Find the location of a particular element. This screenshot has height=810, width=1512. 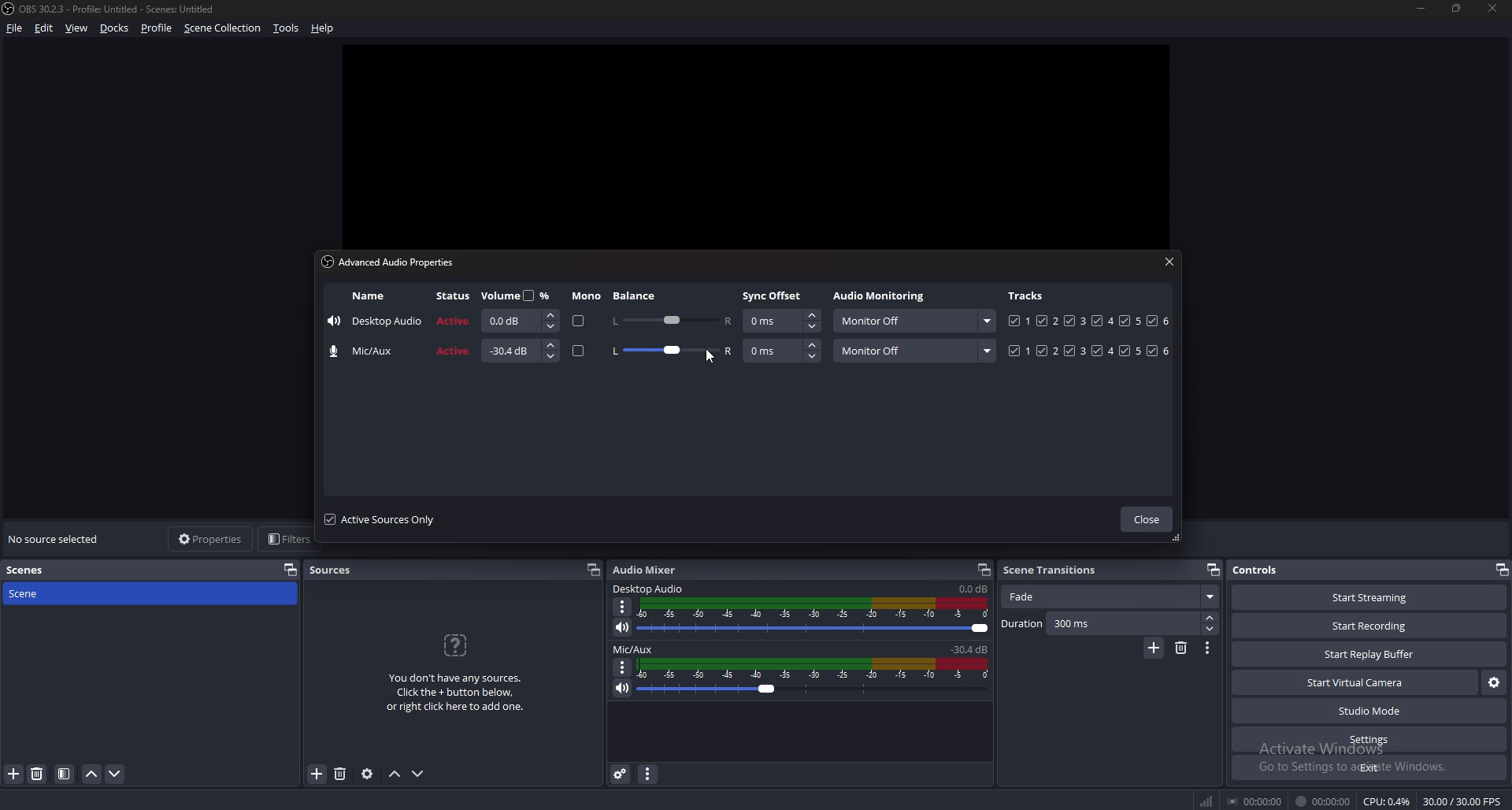

profile is located at coordinates (159, 28).